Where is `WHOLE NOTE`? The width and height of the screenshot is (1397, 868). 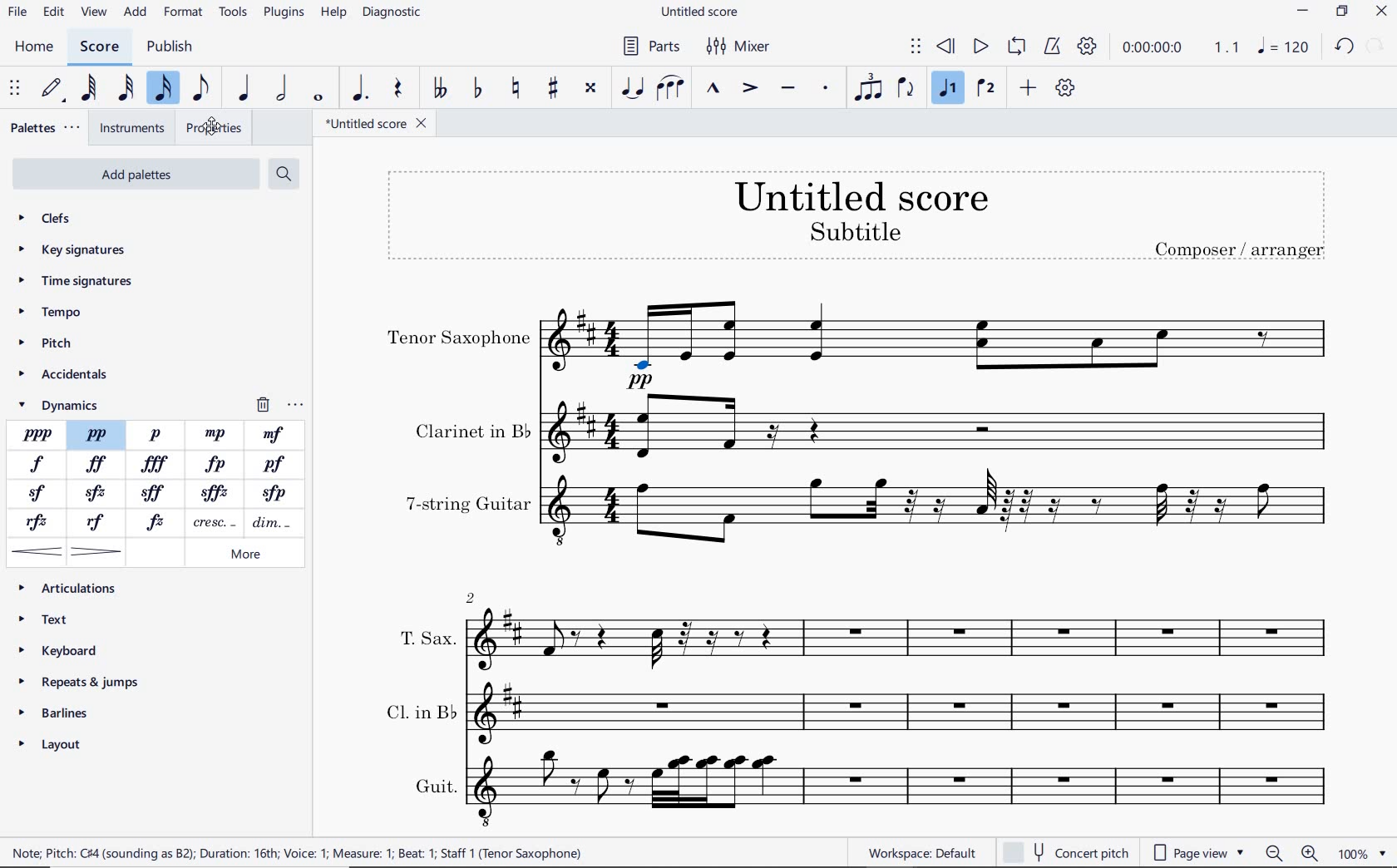 WHOLE NOTE is located at coordinates (321, 96).